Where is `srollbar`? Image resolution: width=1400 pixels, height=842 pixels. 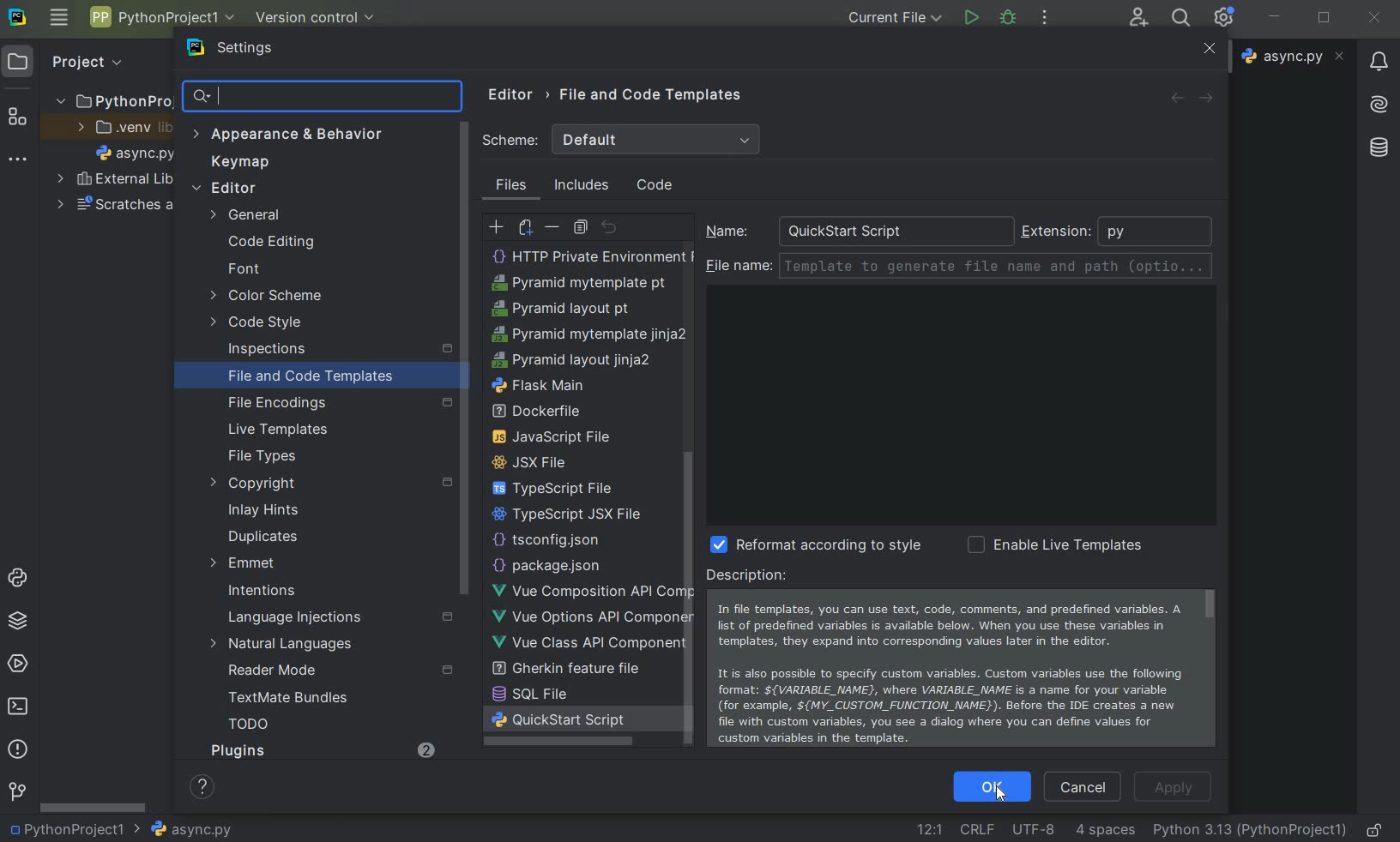
srollbar is located at coordinates (94, 808).